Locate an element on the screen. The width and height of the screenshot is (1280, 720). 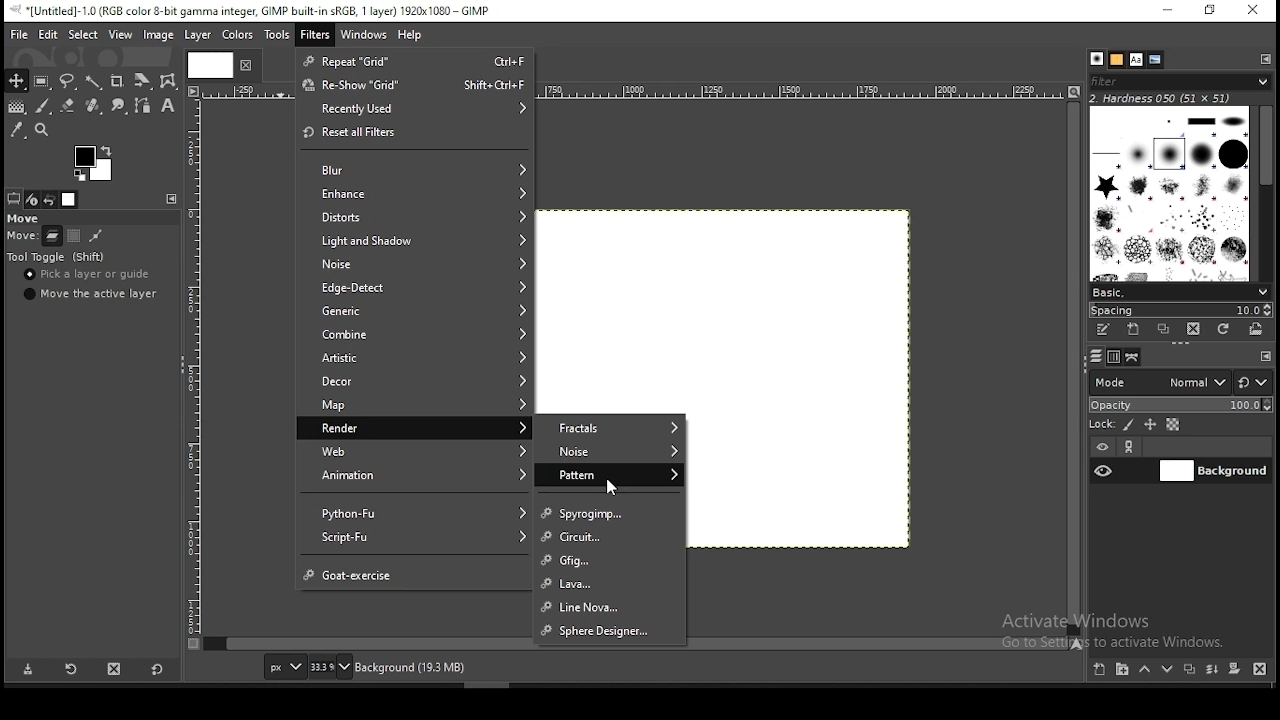
eraser tool is located at coordinates (95, 106).